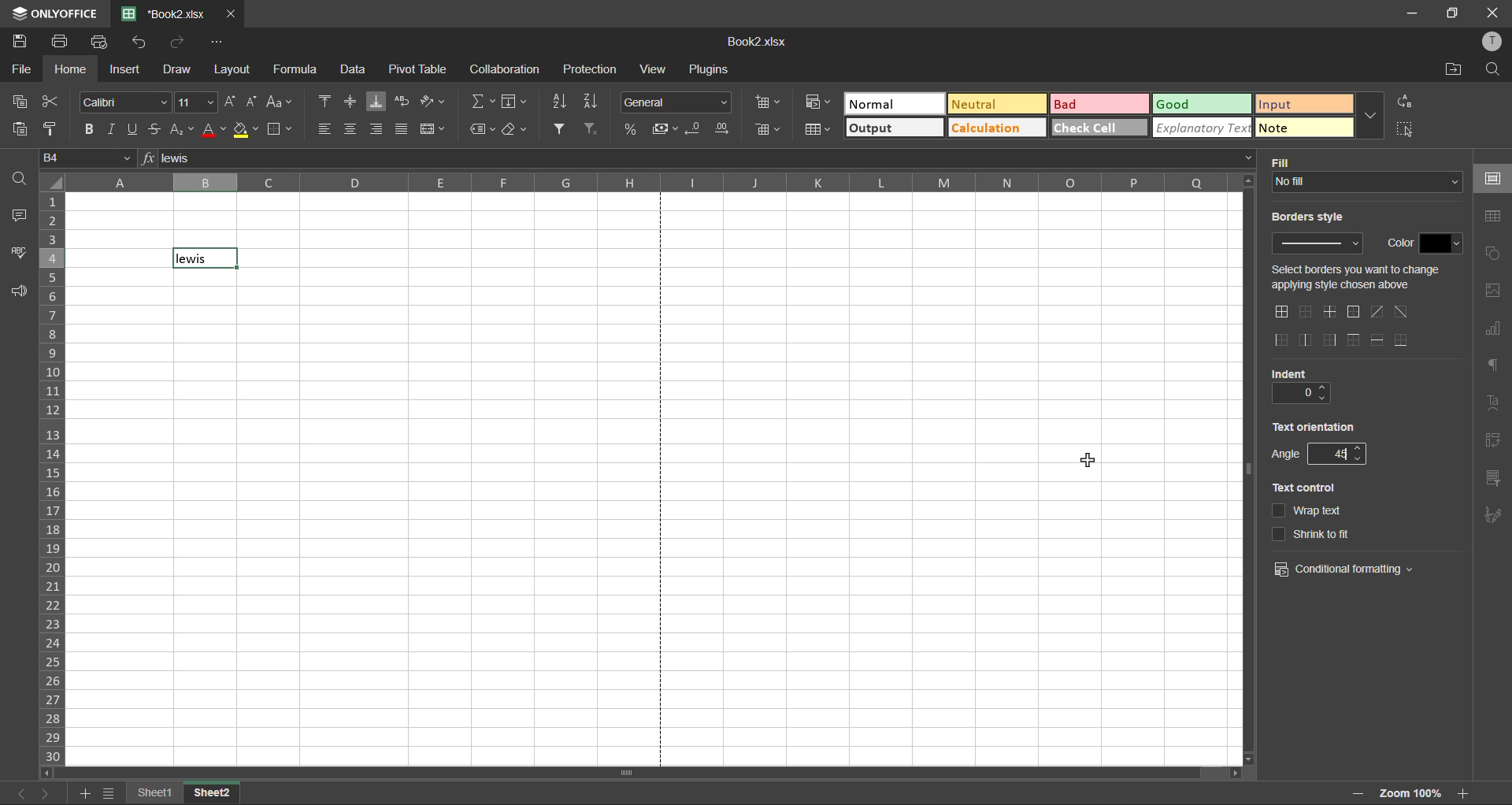  I want to click on increase indent, so click(1327, 385).